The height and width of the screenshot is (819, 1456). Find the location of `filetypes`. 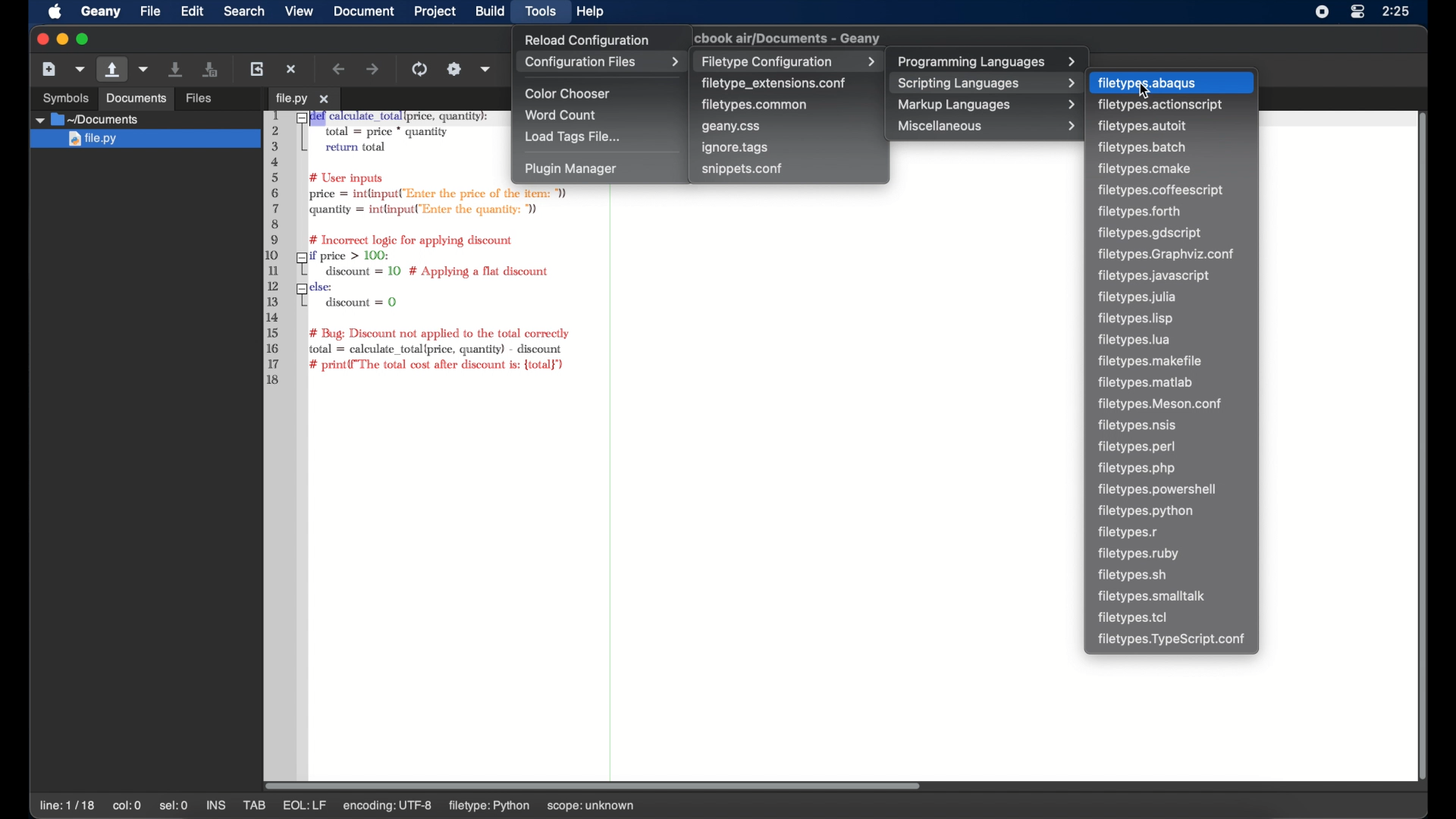

filetypes is located at coordinates (1142, 148).